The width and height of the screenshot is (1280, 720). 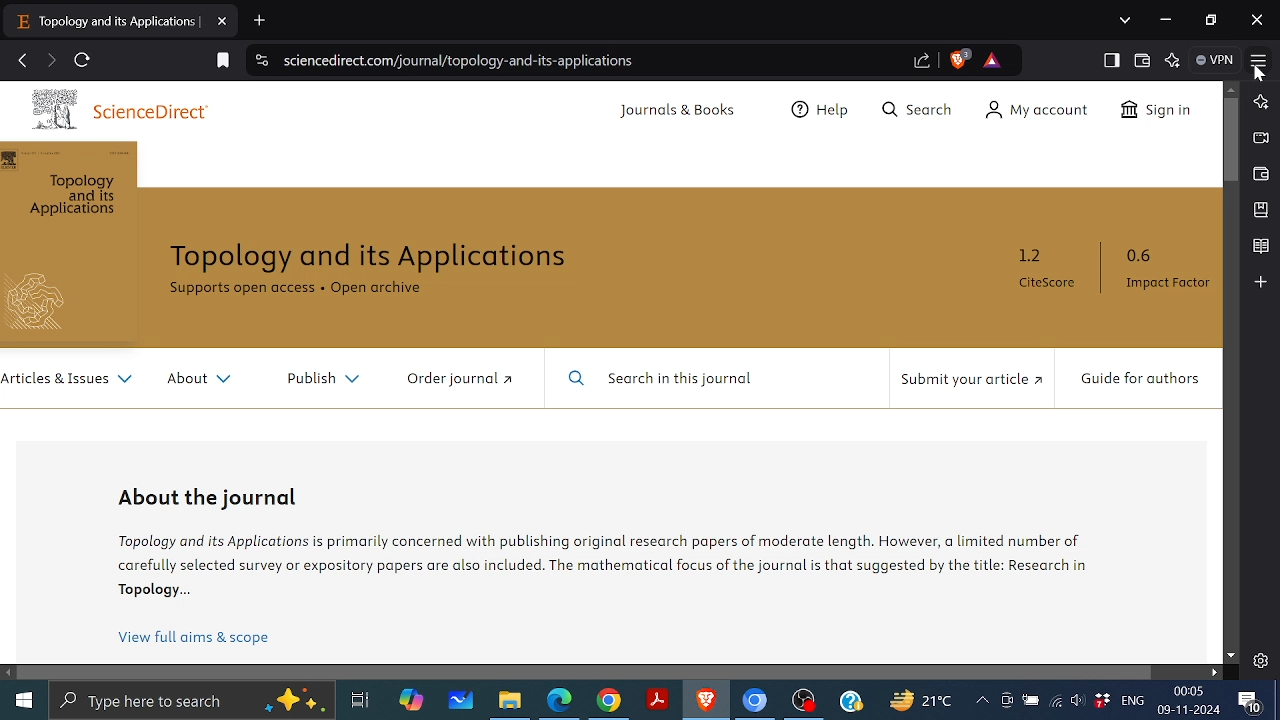 I want to click on Move left, so click(x=9, y=673).